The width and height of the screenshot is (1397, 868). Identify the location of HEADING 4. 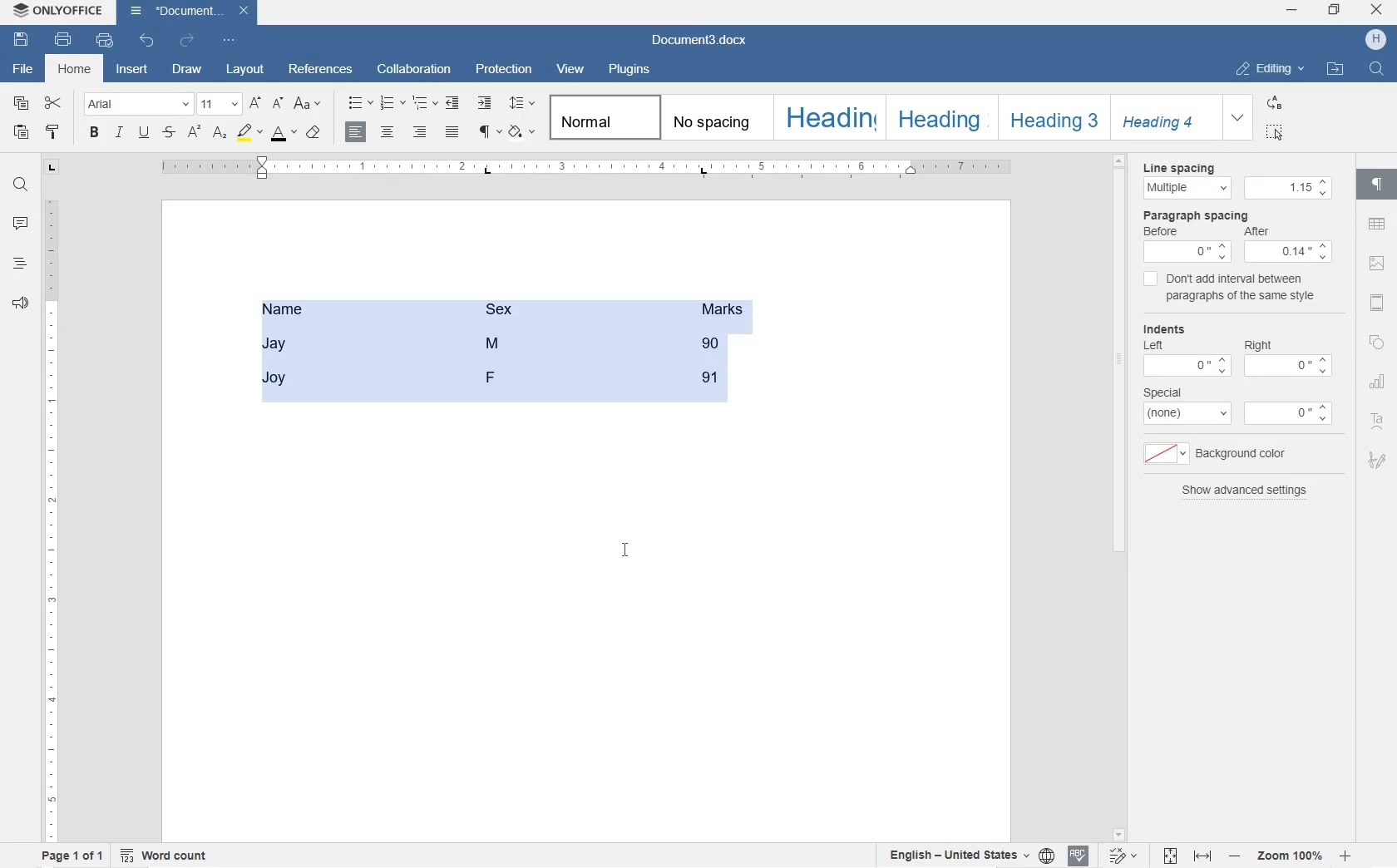
(1162, 116).